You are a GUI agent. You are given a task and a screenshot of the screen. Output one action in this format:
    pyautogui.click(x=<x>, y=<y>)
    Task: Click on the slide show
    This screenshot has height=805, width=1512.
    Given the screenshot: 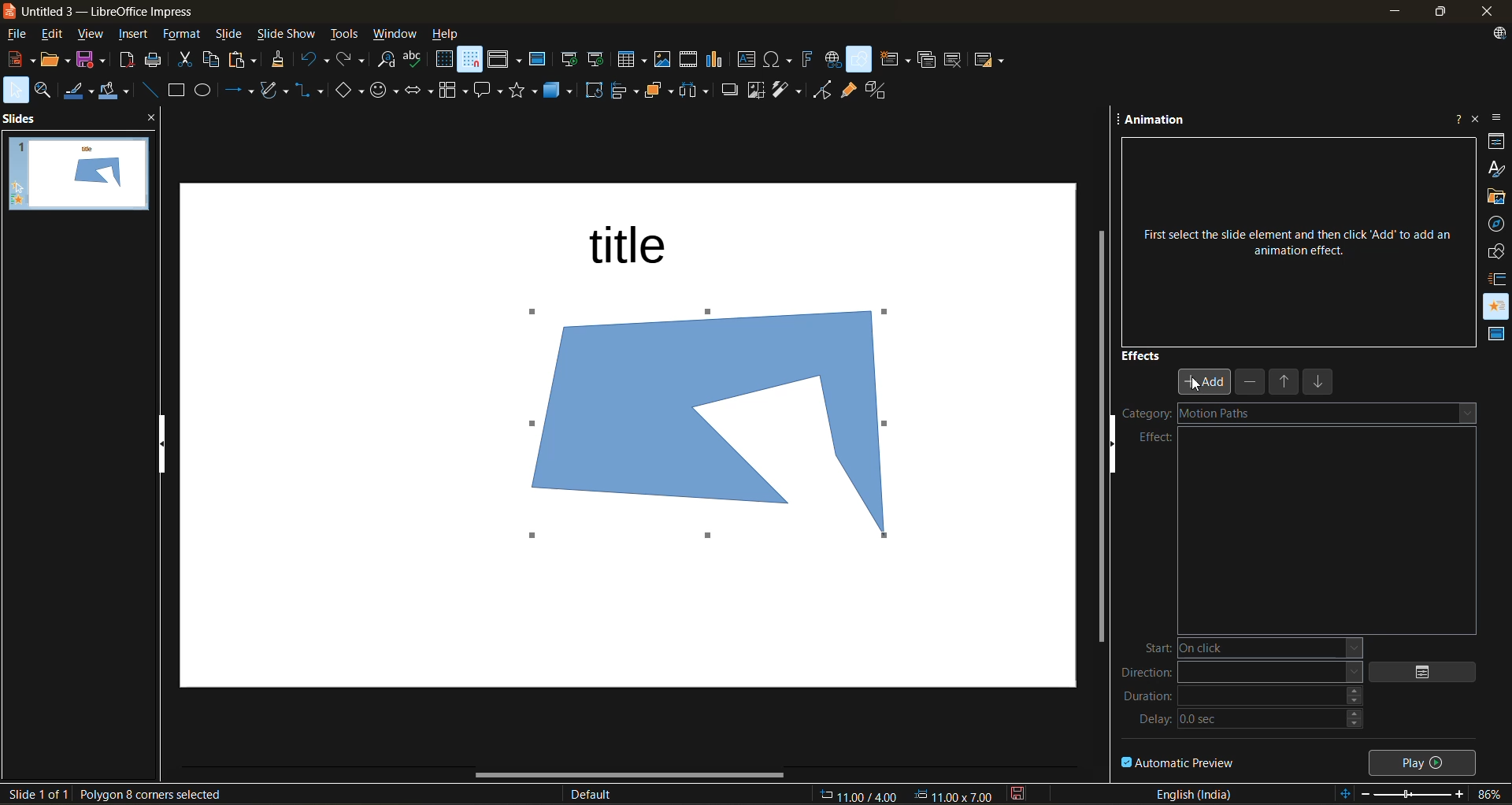 What is the action you would take?
    pyautogui.click(x=286, y=35)
    